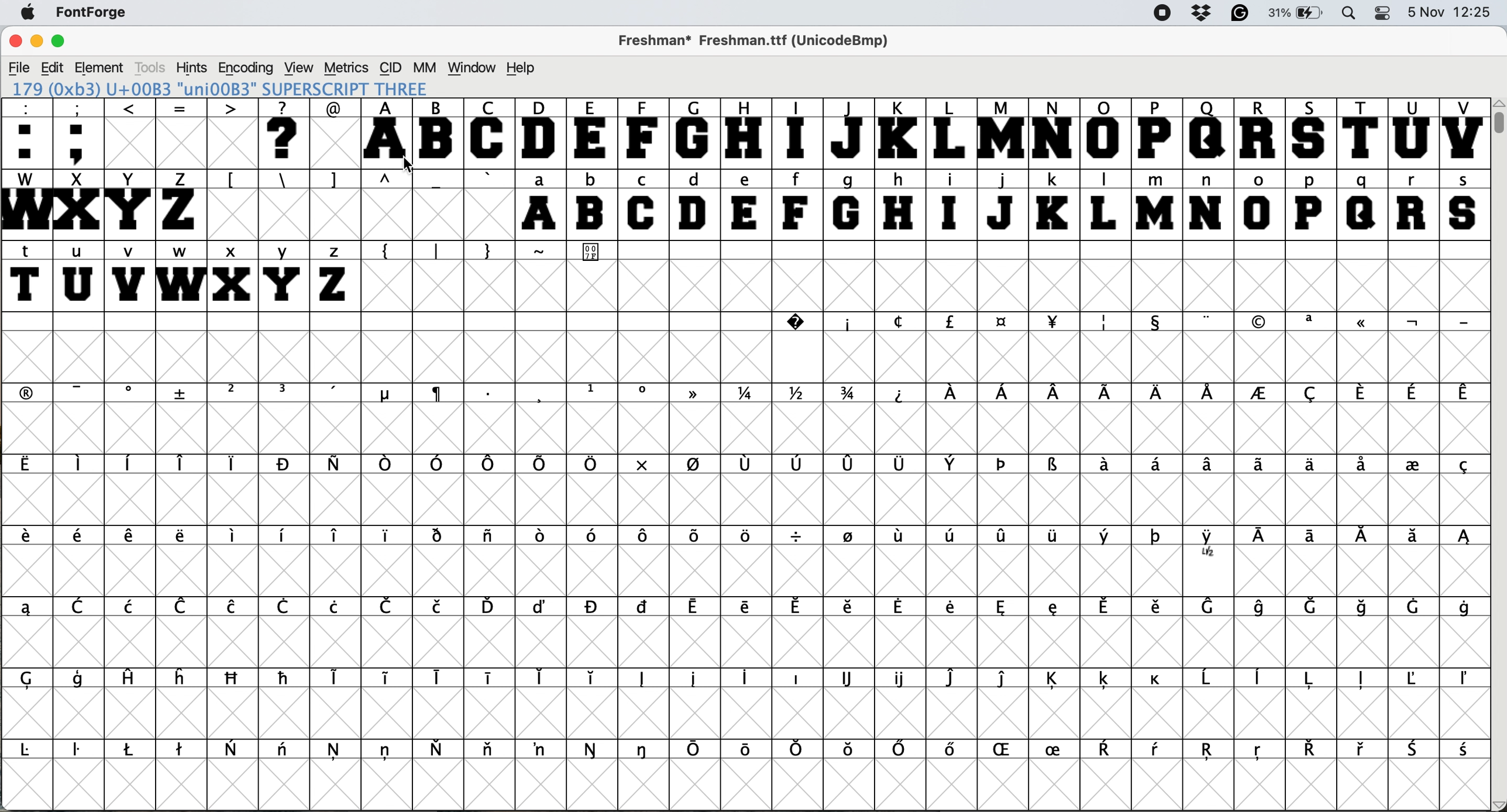 The height and width of the screenshot is (812, 1507). Describe the element at coordinates (387, 180) in the screenshot. I see `^` at that location.